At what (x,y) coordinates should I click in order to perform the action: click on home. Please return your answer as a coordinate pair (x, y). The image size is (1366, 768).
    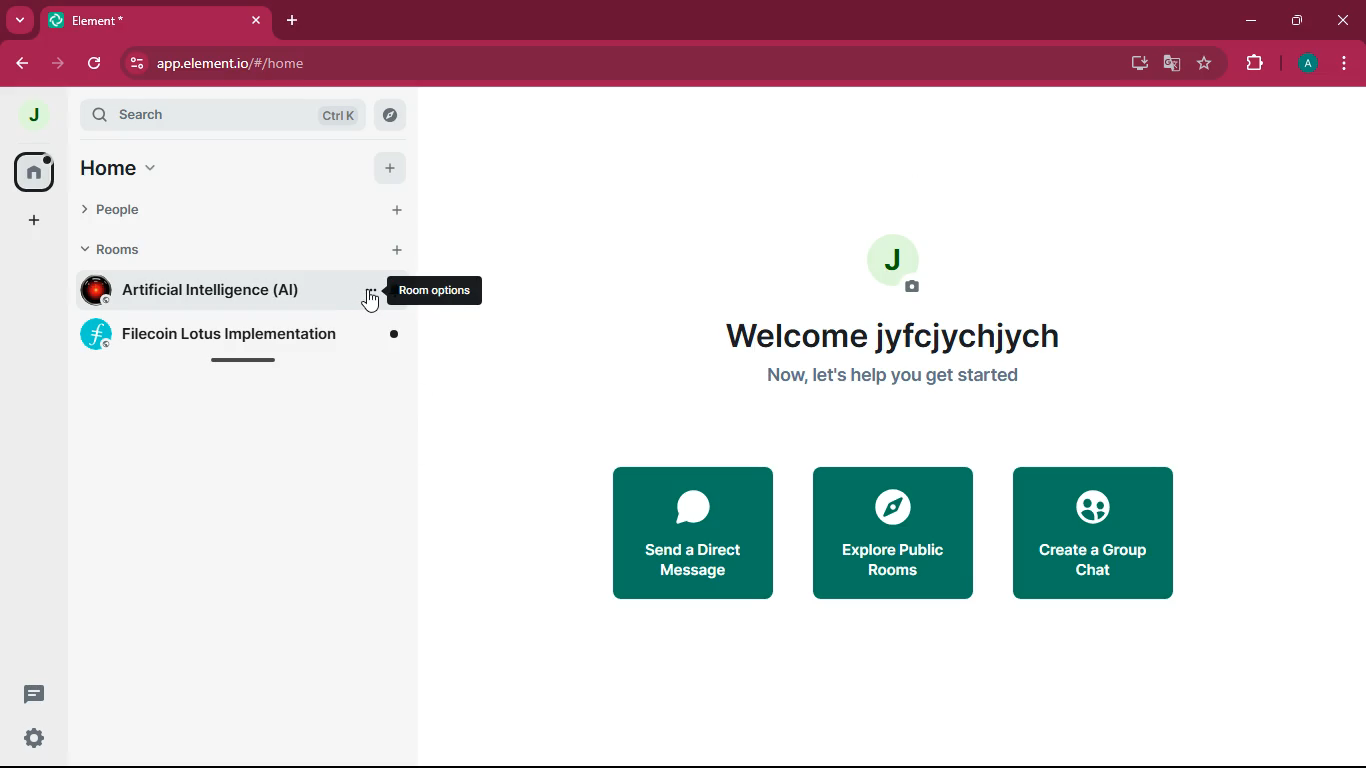
    Looking at the image, I should click on (125, 168).